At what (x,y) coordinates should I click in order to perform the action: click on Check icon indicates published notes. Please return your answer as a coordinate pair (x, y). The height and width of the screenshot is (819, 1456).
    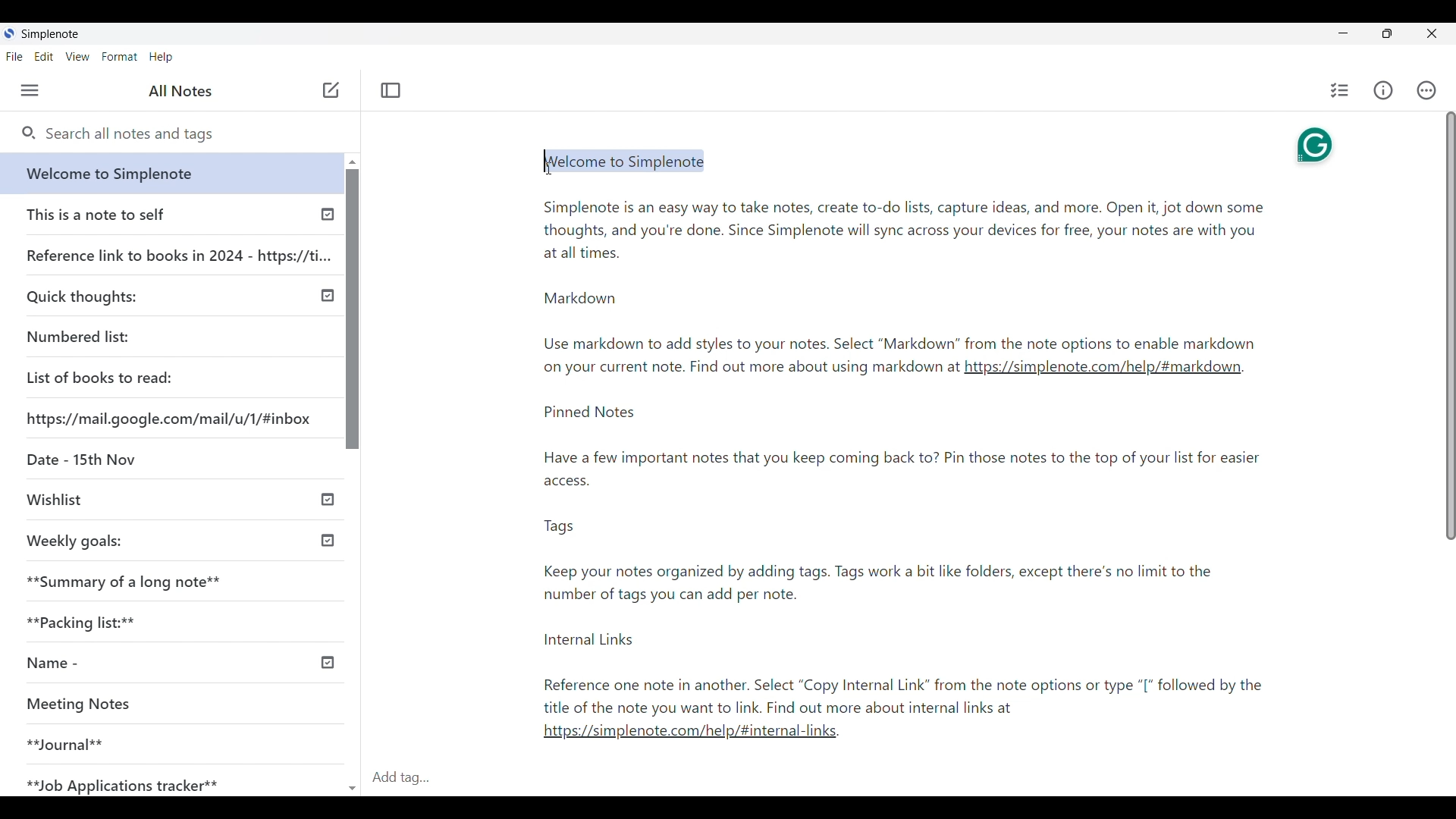
    Looking at the image, I should click on (329, 500).